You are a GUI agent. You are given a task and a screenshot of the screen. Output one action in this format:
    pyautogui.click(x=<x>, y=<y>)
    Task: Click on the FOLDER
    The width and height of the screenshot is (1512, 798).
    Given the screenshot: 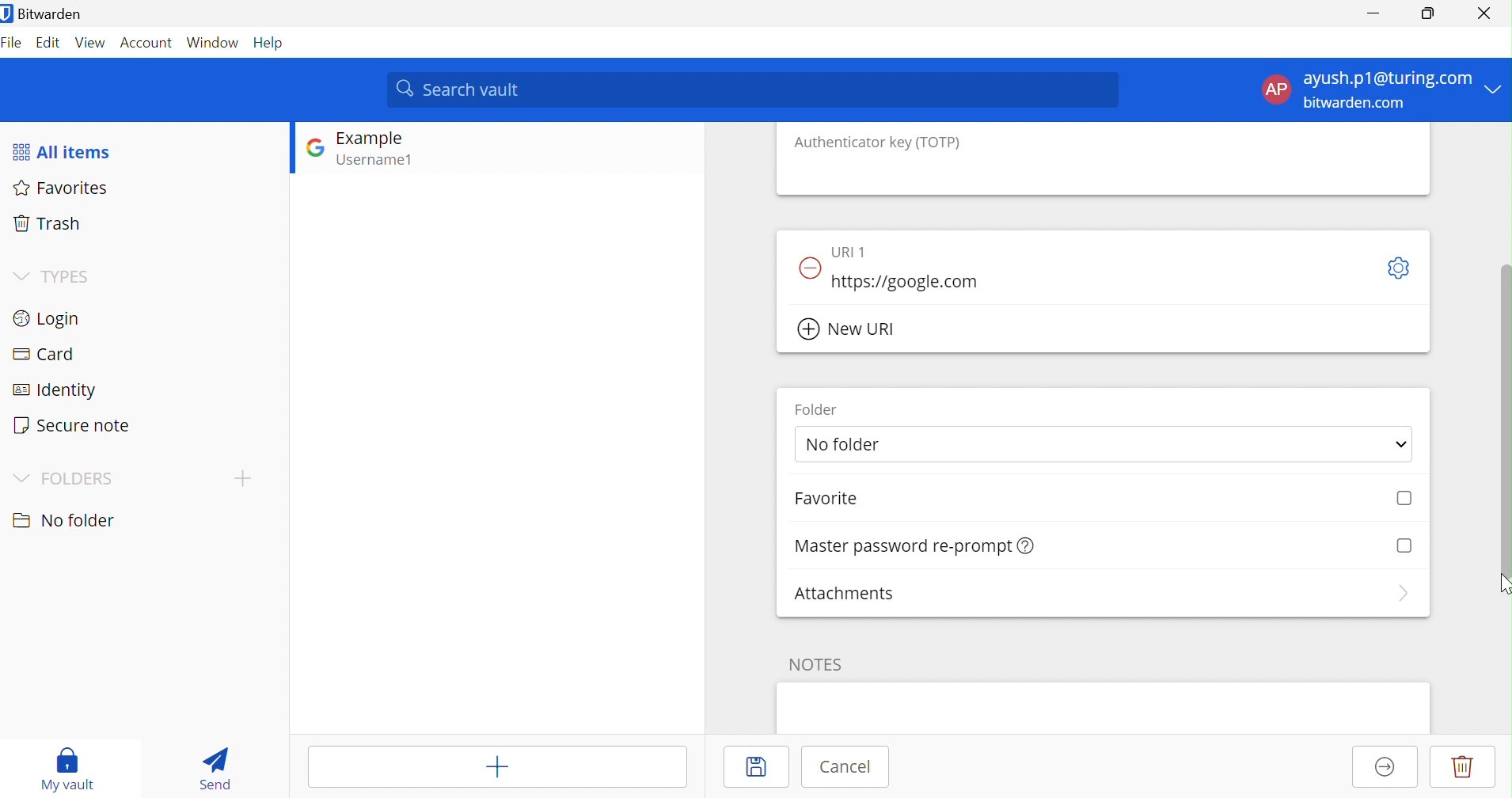 What is the action you would take?
    pyautogui.click(x=78, y=477)
    